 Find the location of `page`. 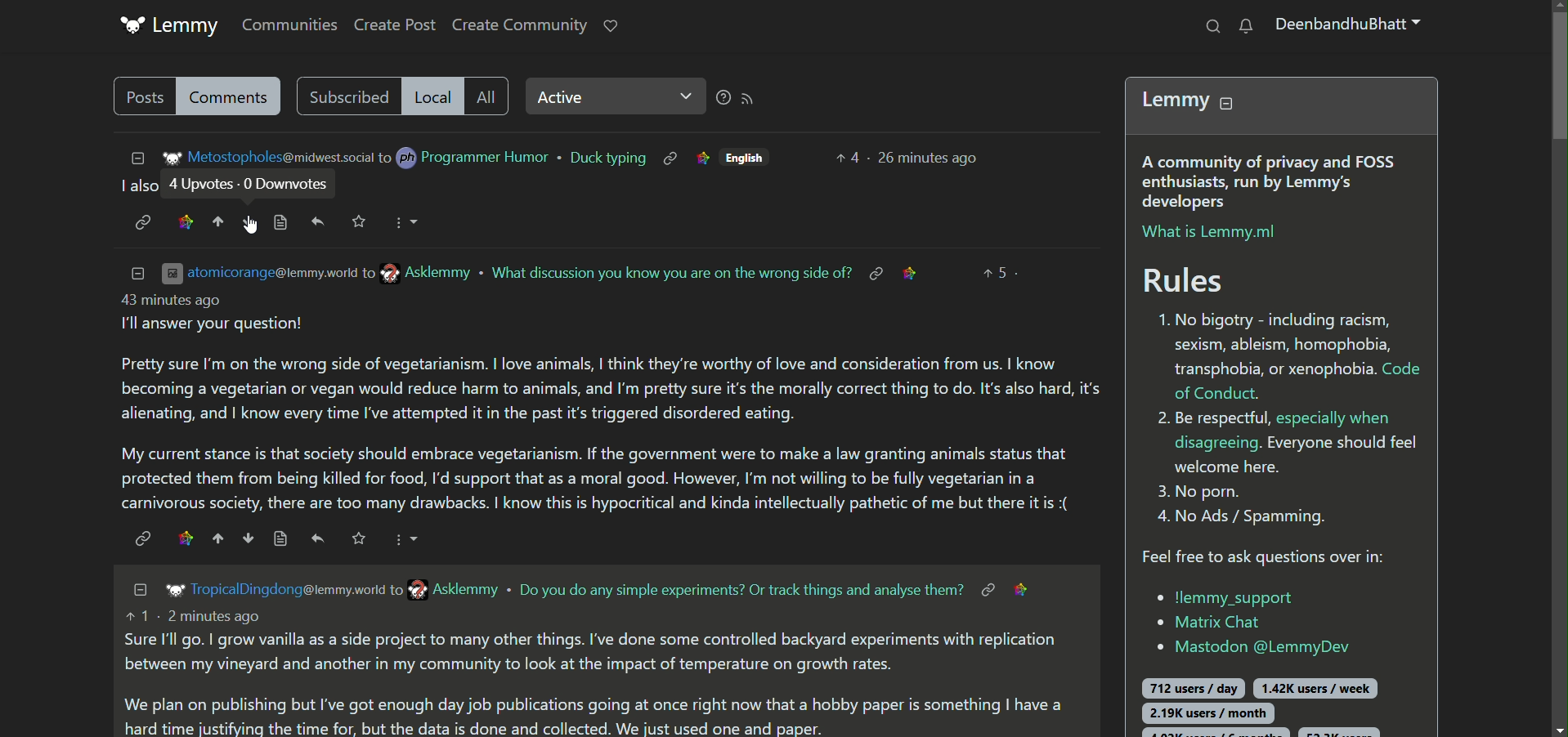

page is located at coordinates (281, 222).